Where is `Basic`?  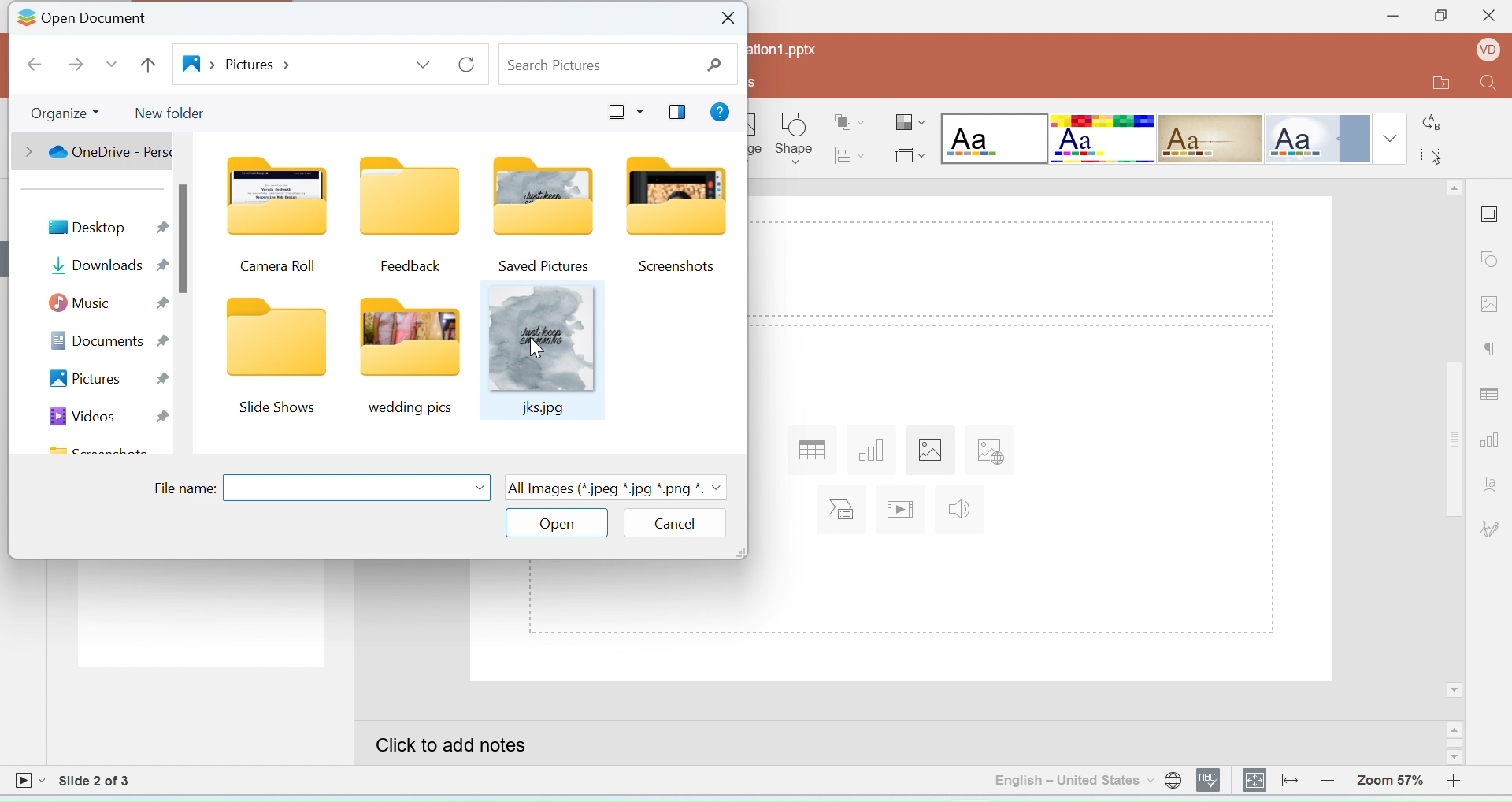
Basic is located at coordinates (1103, 139).